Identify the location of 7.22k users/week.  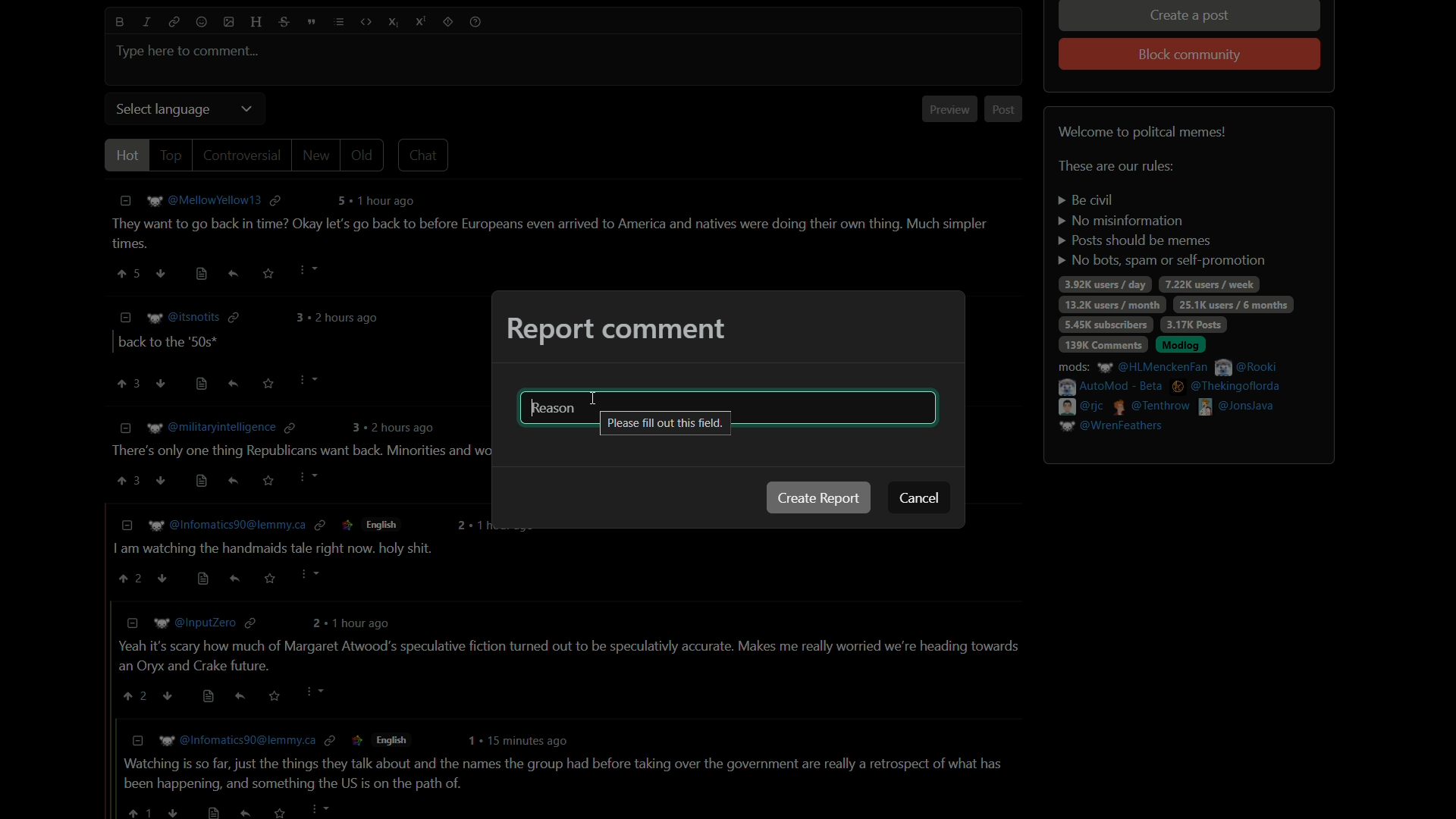
(1209, 285).